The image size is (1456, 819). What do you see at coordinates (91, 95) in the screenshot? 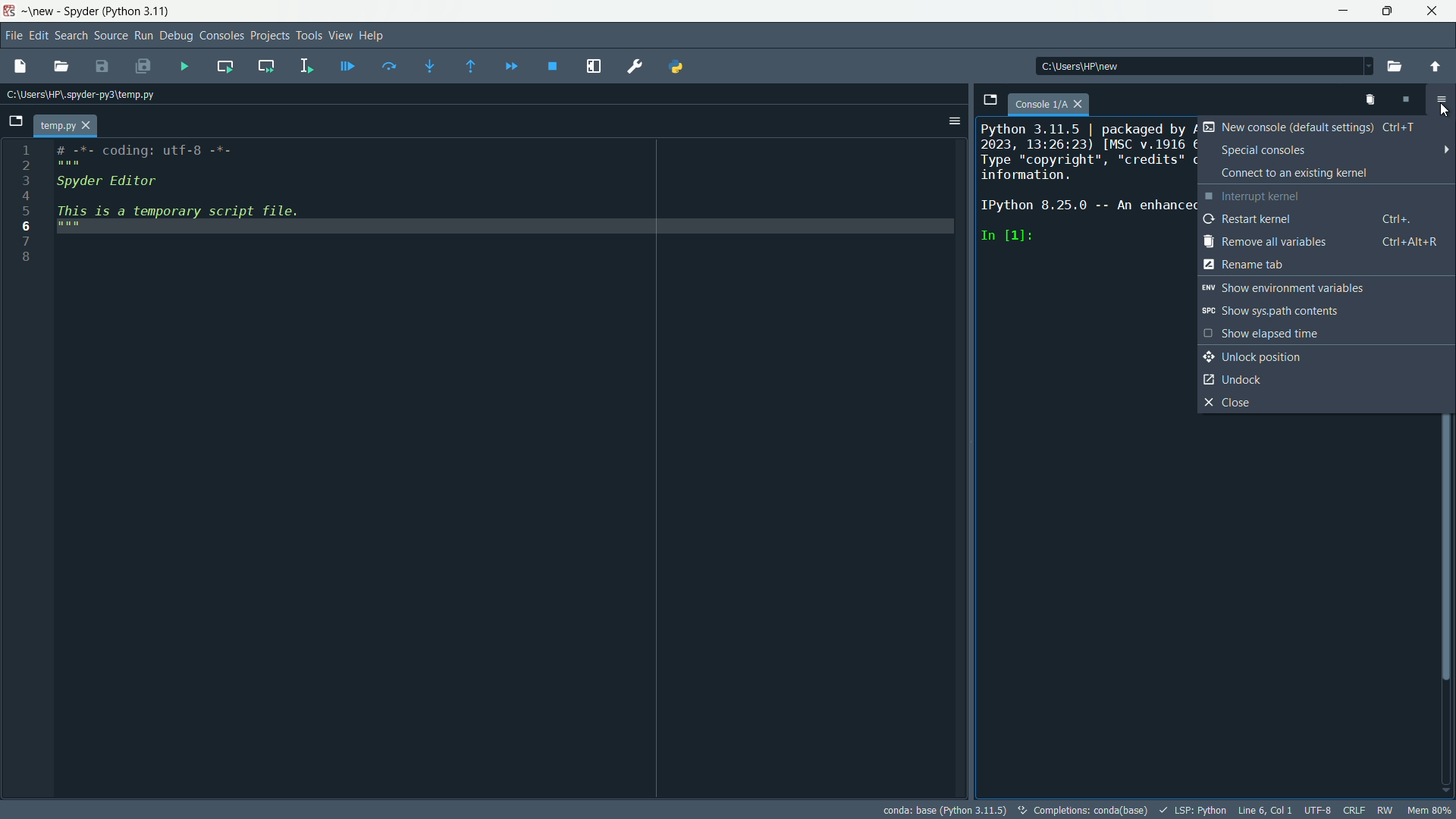
I see `C:\Users\HP\spyder-py3\temp.py` at bounding box center [91, 95].